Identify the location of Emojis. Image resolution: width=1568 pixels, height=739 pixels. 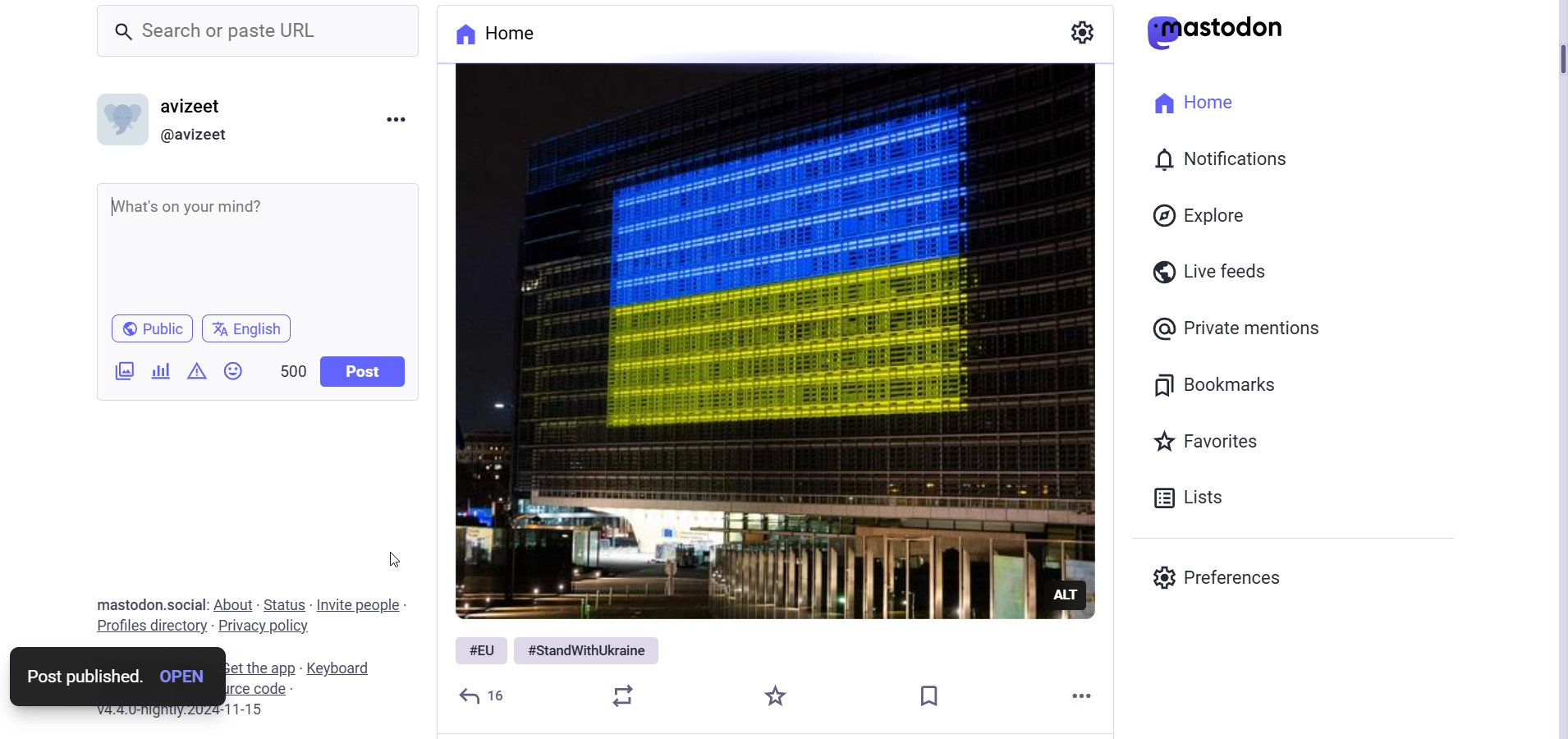
(237, 369).